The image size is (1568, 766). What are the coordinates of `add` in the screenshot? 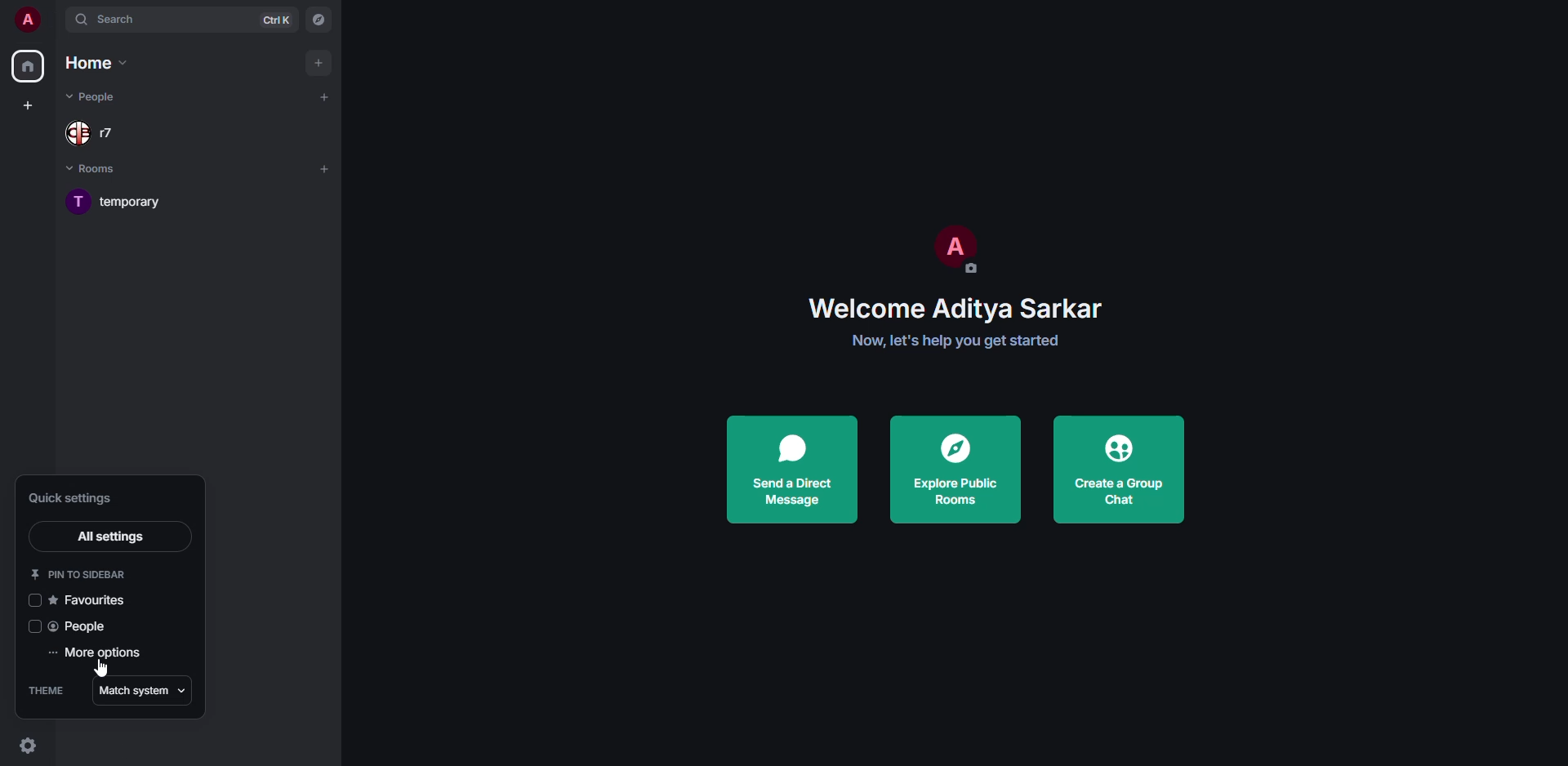 It's located at (322, 98).